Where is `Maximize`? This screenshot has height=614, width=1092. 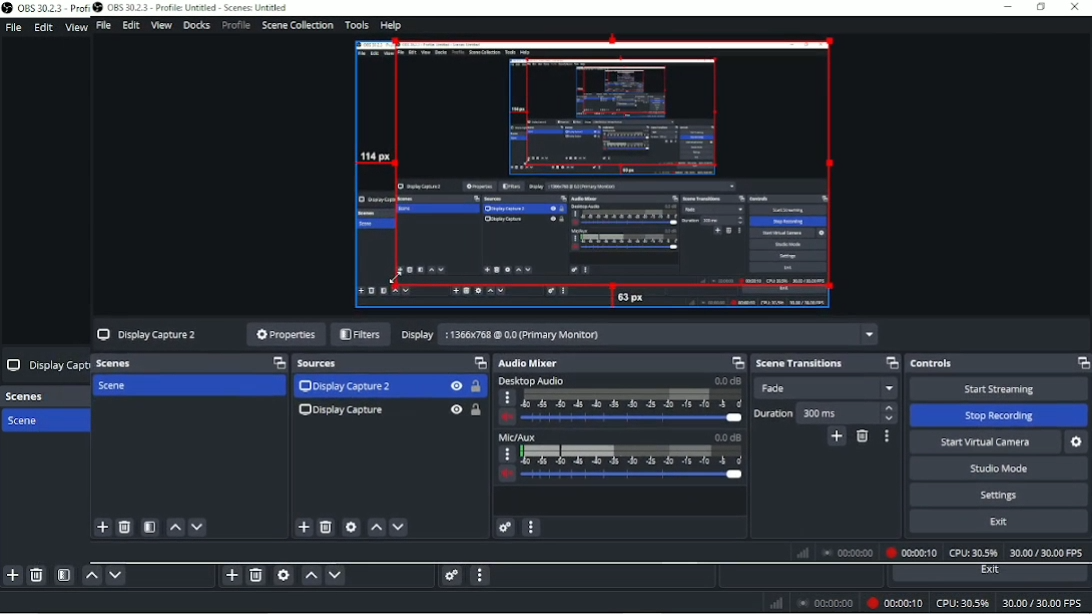
Maximize is located at coordinates (278, 363).